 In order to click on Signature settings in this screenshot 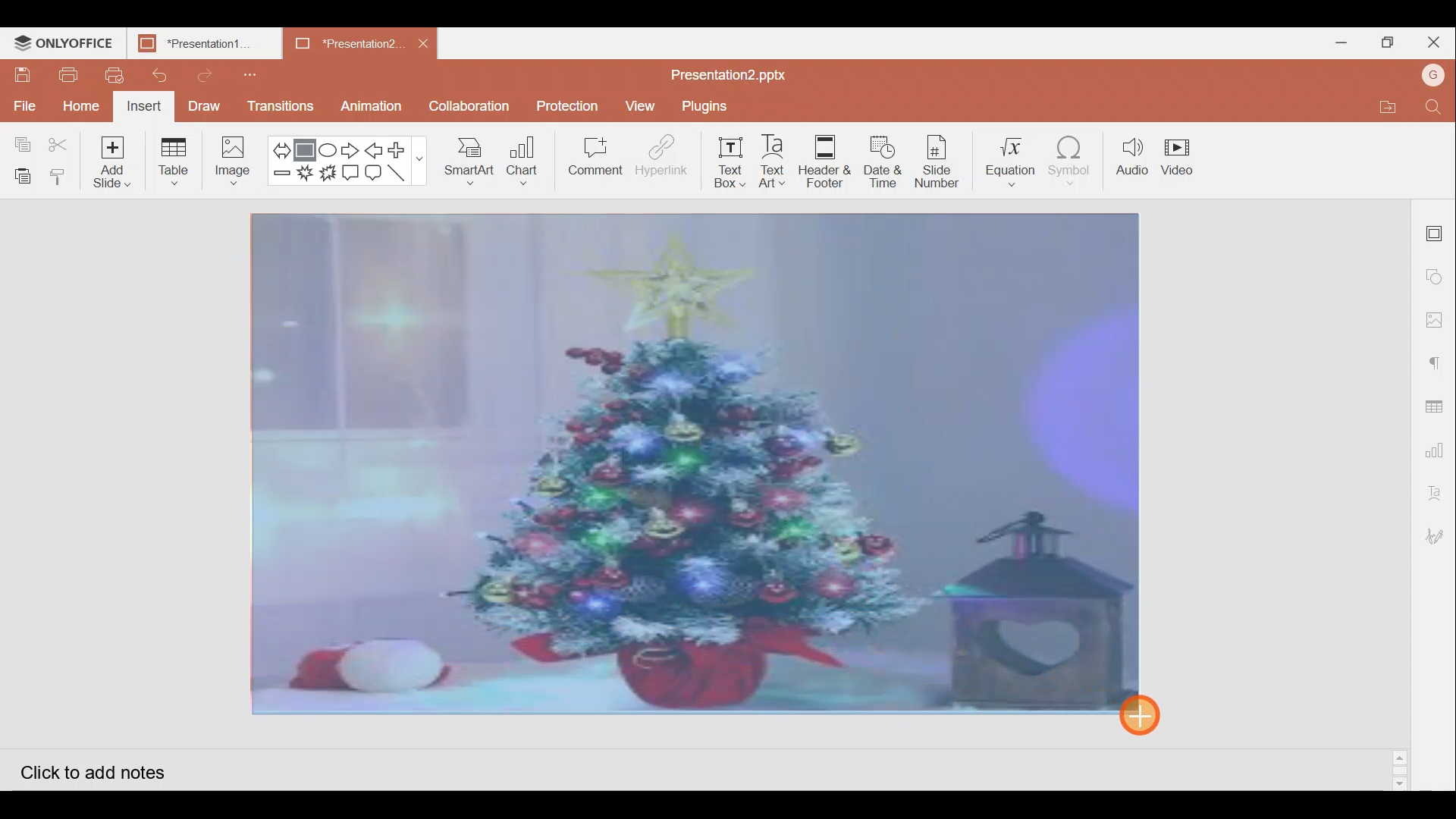, I will do `click(1438, 534)`.